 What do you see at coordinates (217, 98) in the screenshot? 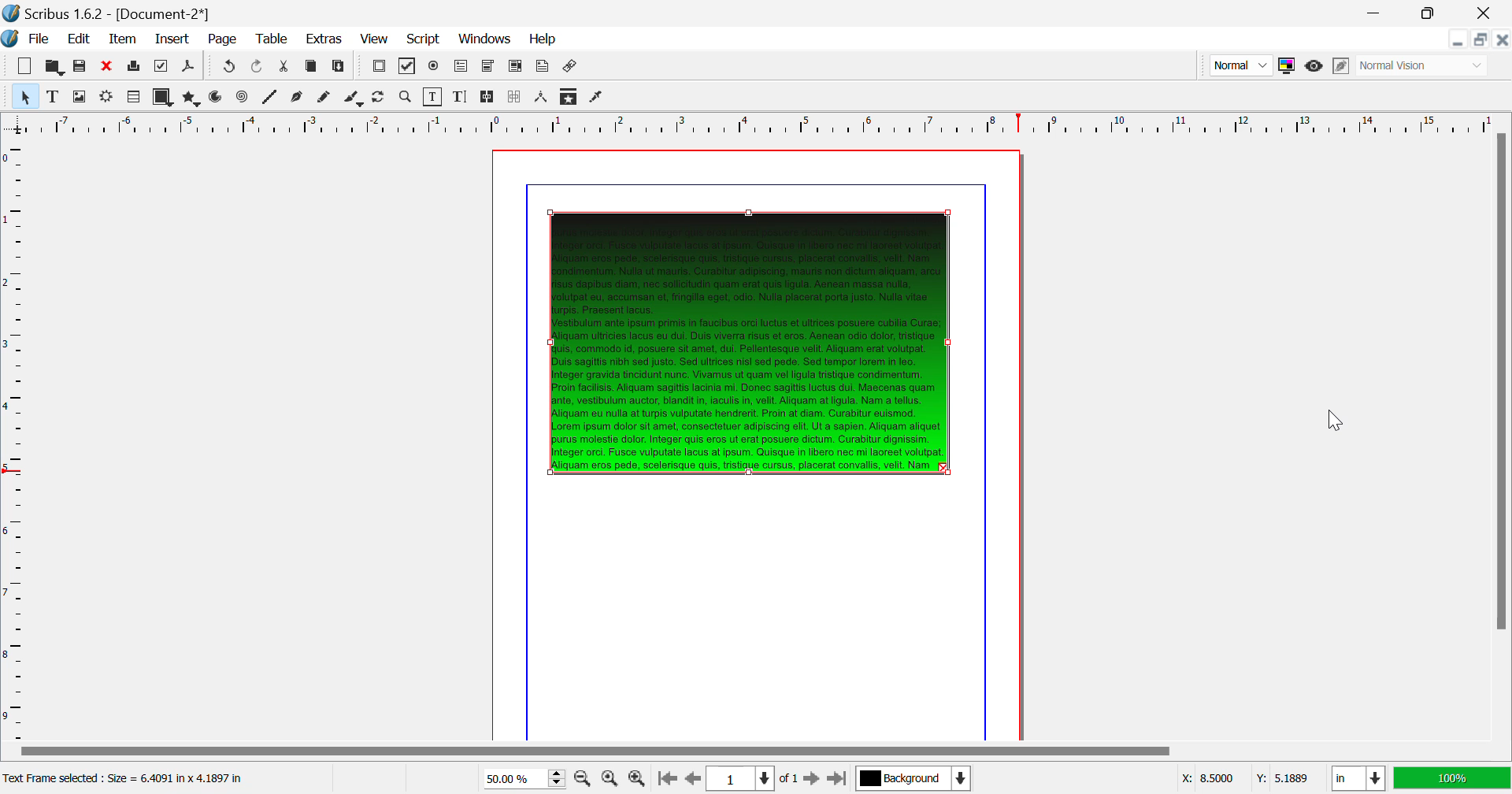
I see `Arcs` at bounding box center [217, 98].